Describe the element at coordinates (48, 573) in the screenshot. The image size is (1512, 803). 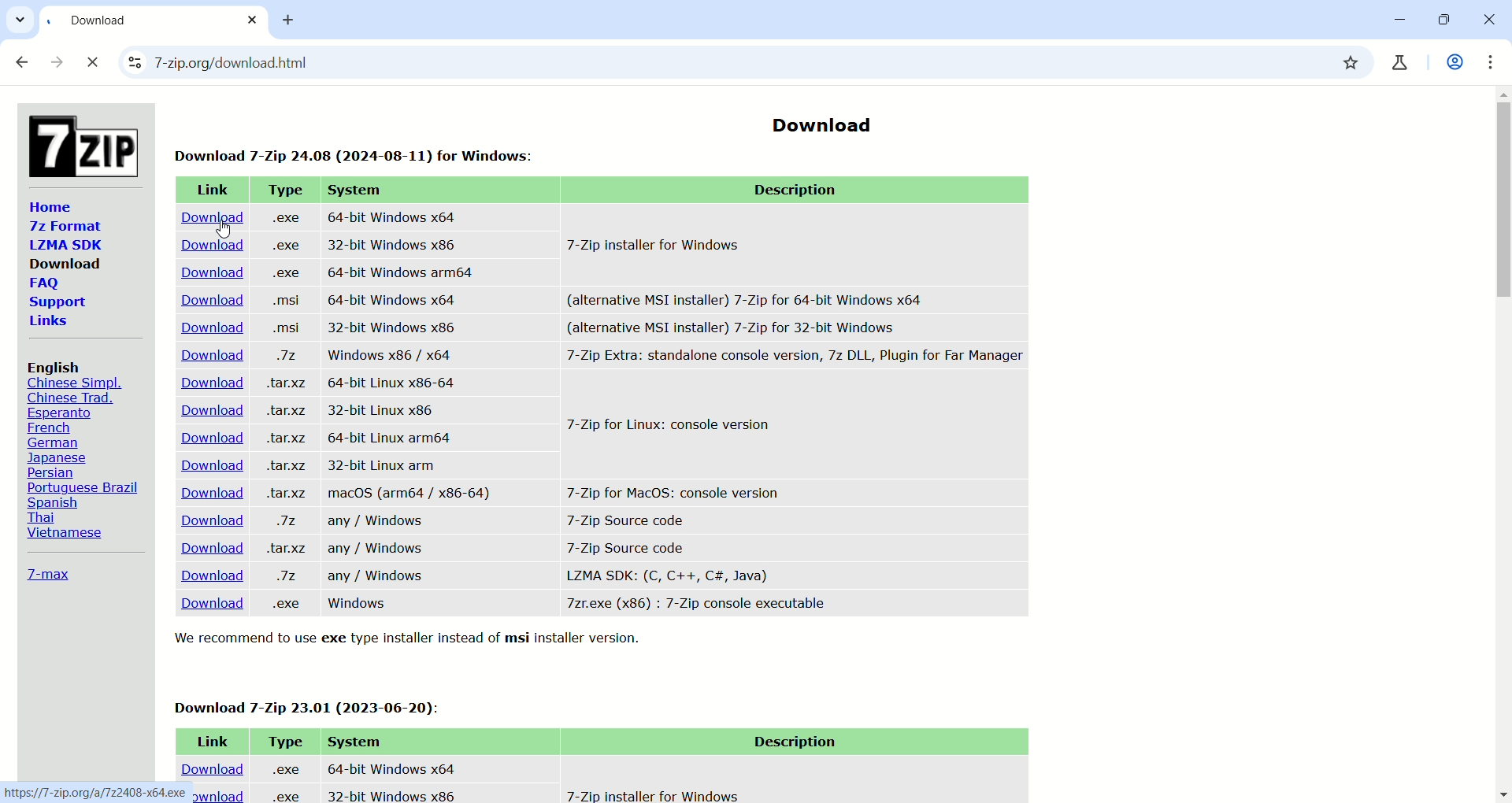
I see `7-max` at that location.